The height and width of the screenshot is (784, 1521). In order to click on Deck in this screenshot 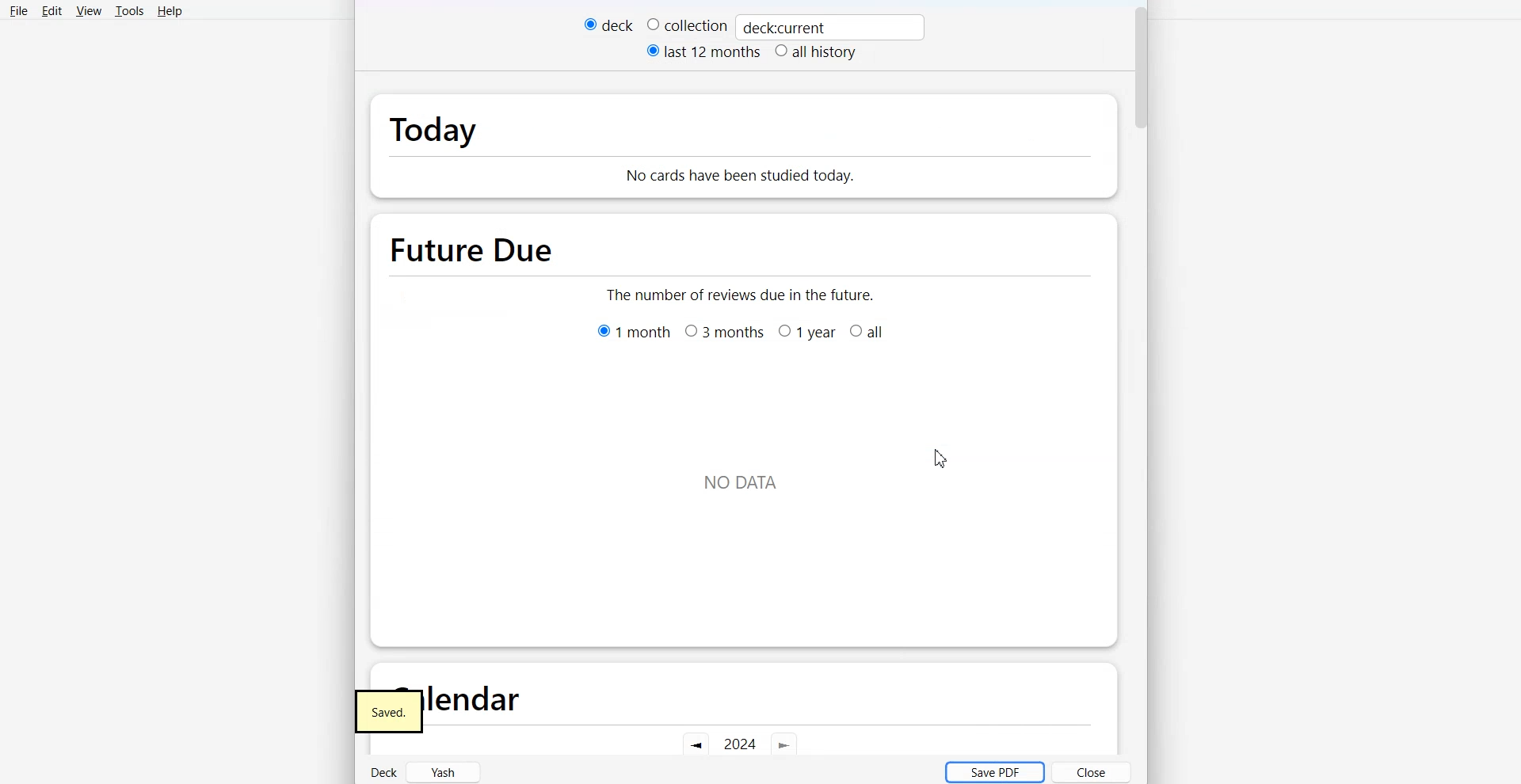, I will do `click(608, 25)`.